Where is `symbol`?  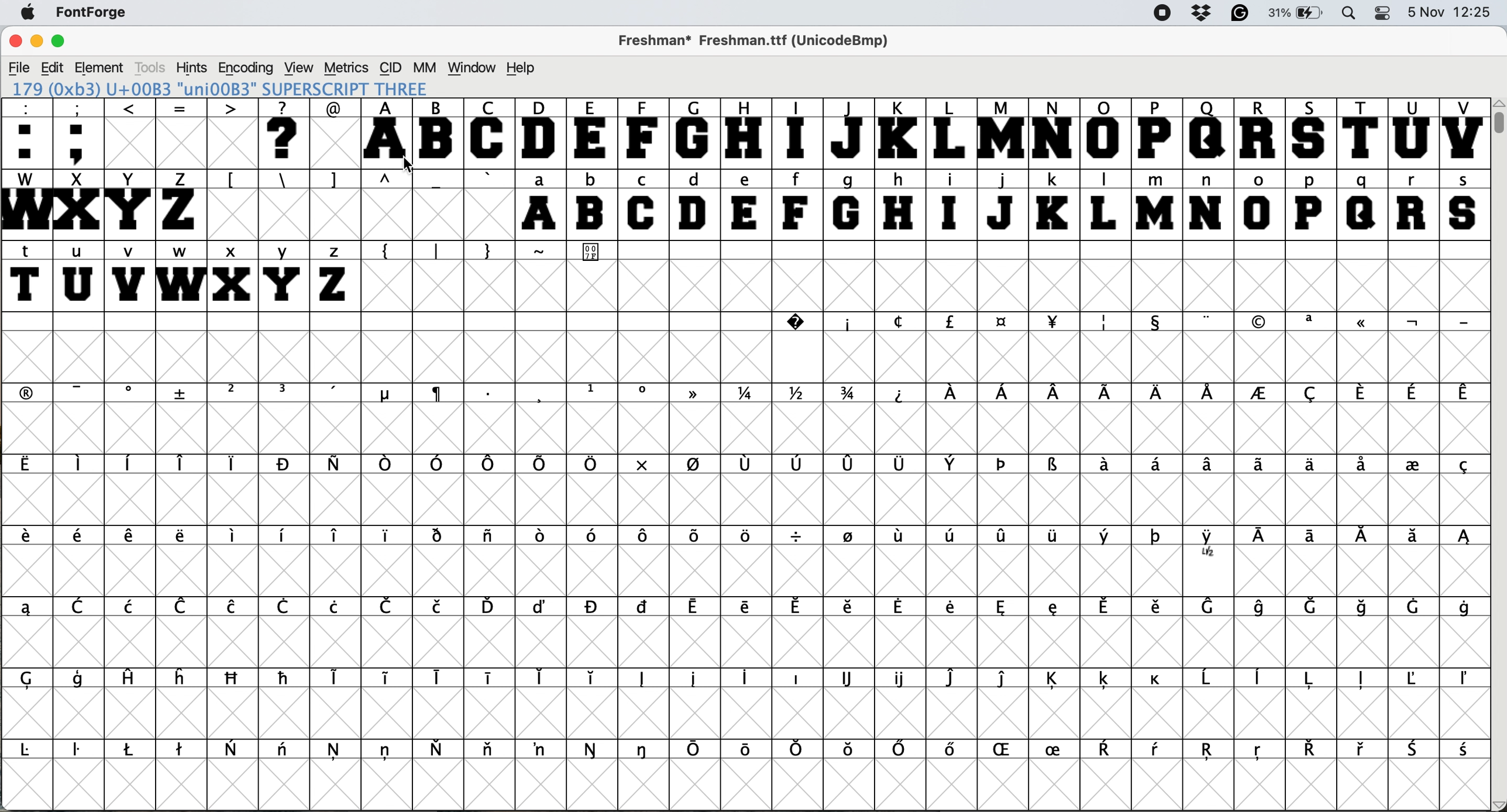 symbol is located at coordinates (902, 750).